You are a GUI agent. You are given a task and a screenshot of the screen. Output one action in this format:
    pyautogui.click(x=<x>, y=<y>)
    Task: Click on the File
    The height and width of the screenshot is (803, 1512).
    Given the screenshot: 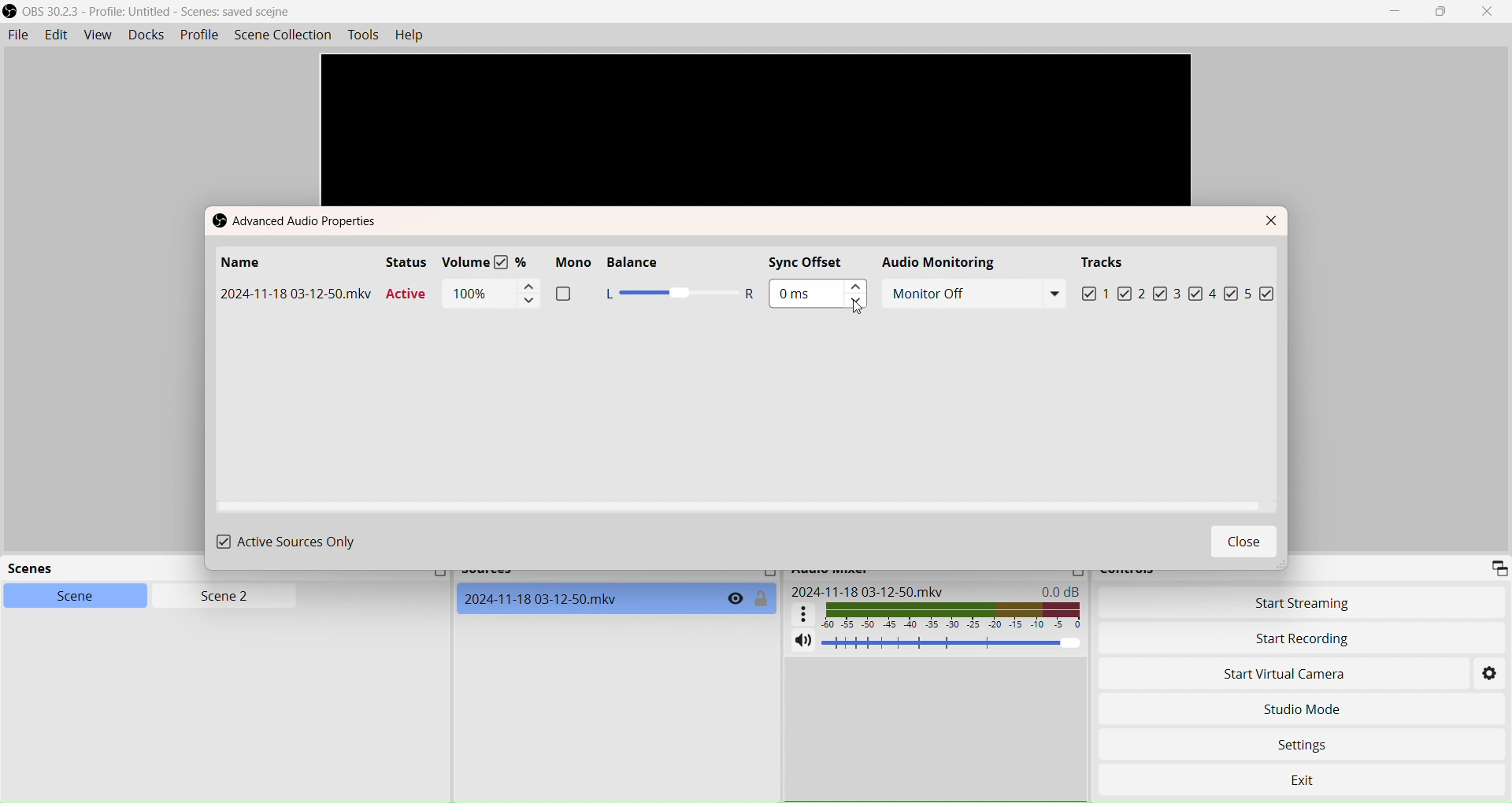 What is the action you would take?
    pyautogui.click(x=17, y=35)
    